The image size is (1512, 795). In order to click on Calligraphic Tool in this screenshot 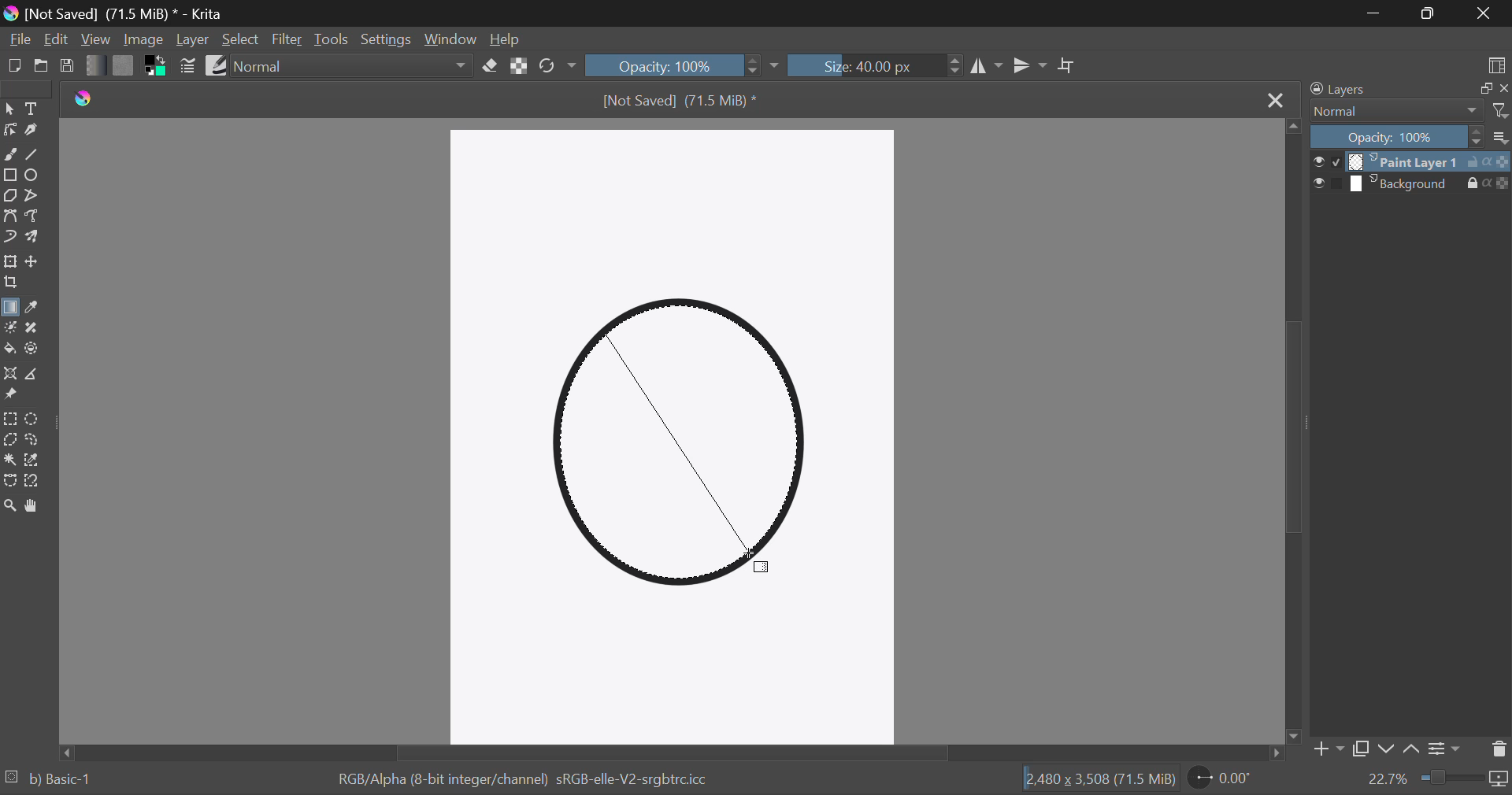, I will do `click(34, 133)`.